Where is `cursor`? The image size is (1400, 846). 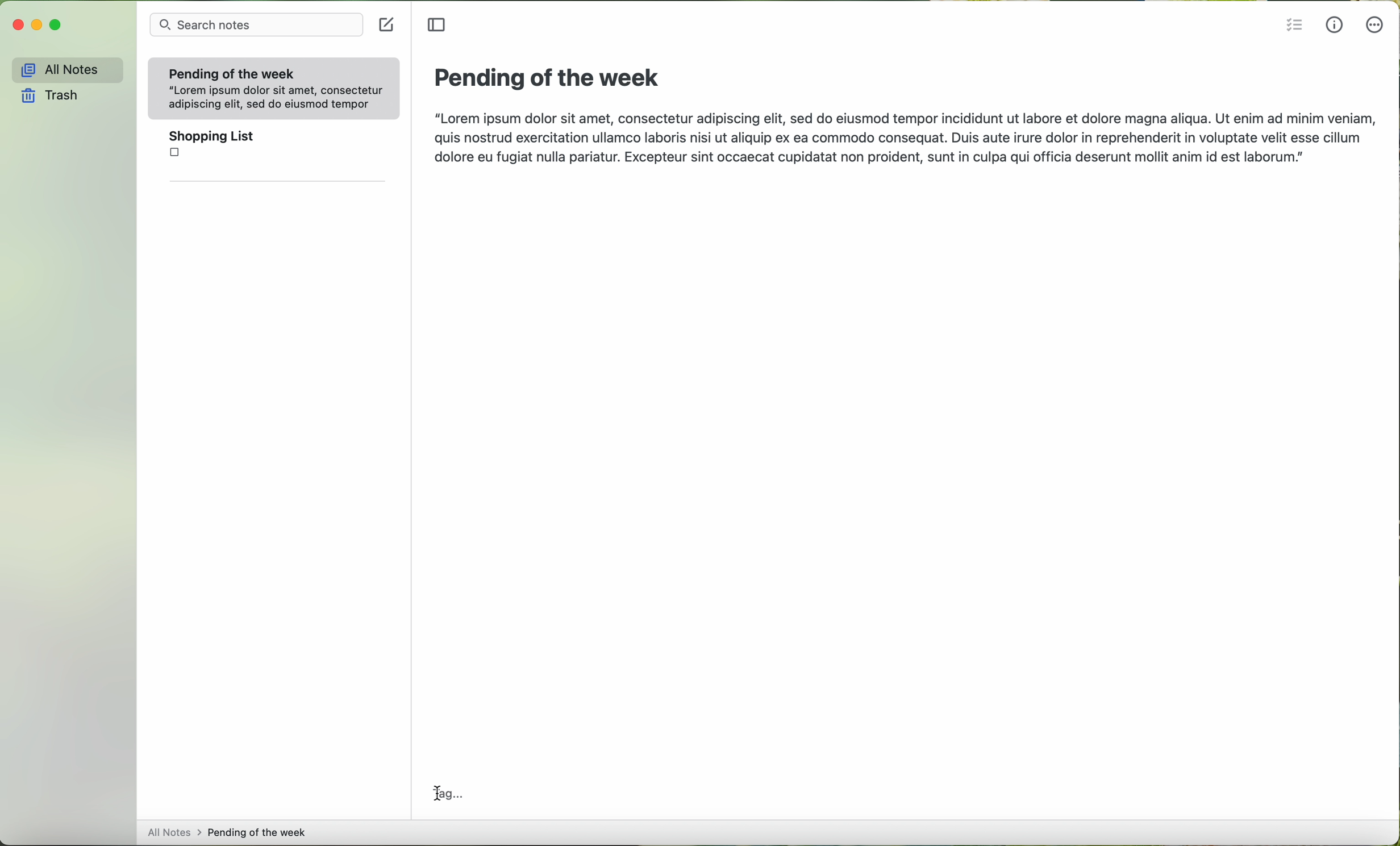
cursor is located at coordinates (435, 791).